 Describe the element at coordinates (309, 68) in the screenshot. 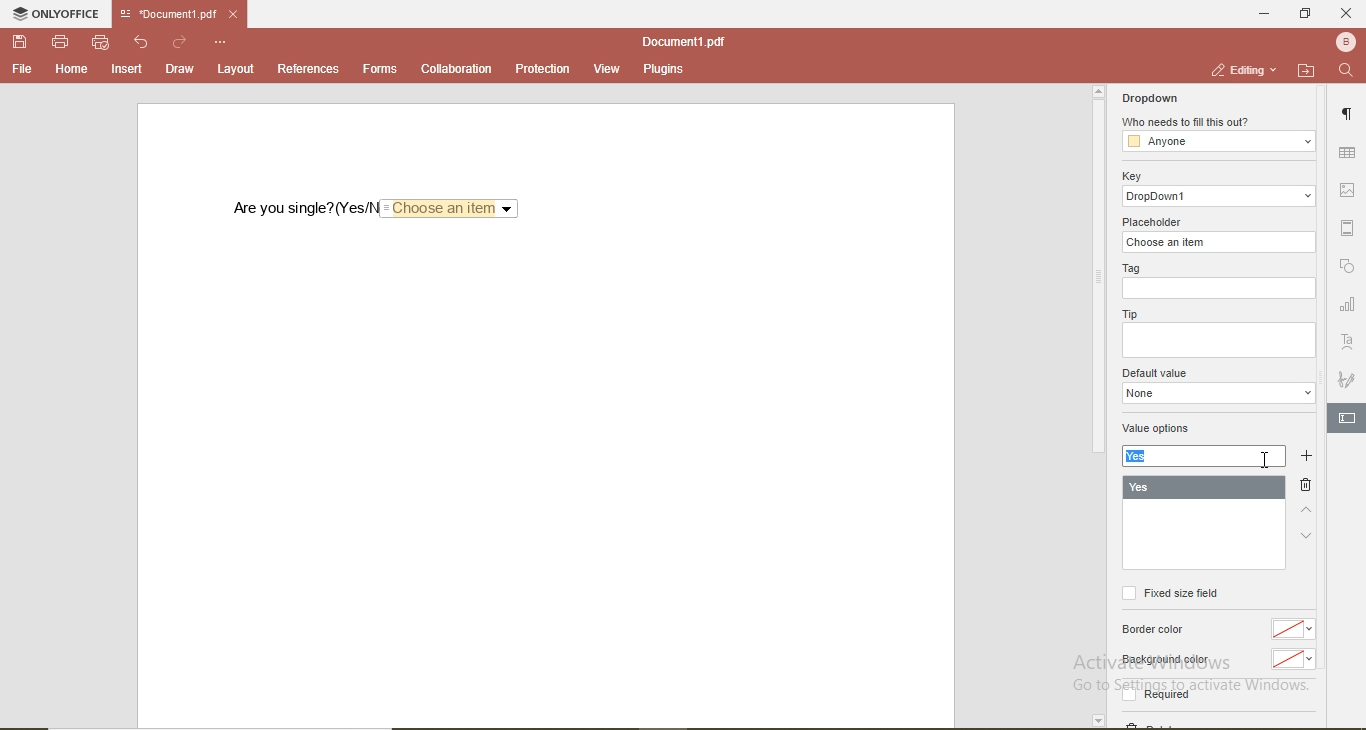

I see `references` at that location.